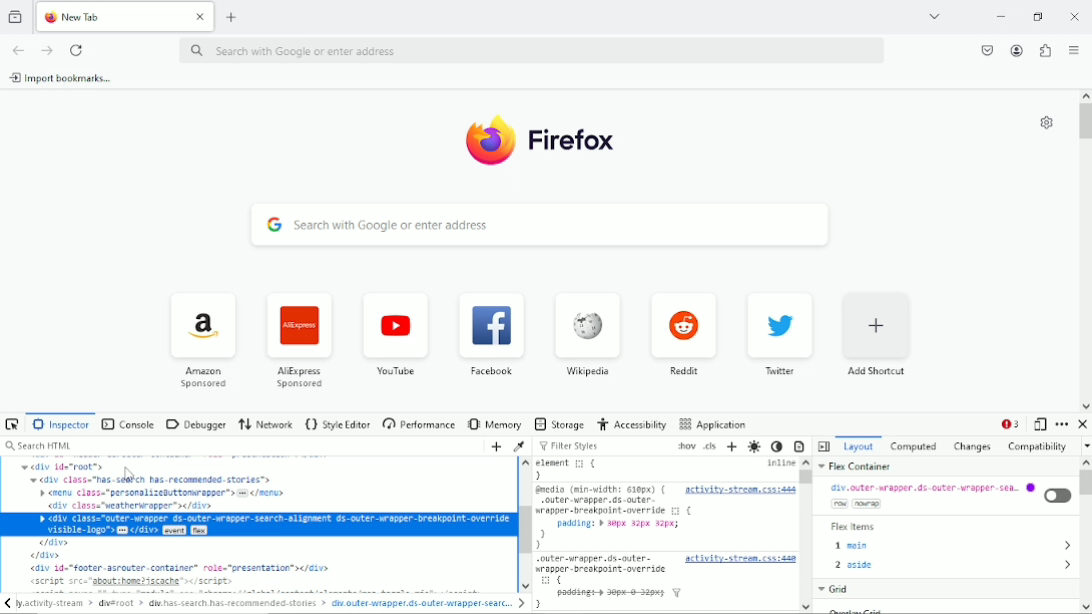  I want to click on div class = "has.search has-recommended-stories”, so click(163, 479).